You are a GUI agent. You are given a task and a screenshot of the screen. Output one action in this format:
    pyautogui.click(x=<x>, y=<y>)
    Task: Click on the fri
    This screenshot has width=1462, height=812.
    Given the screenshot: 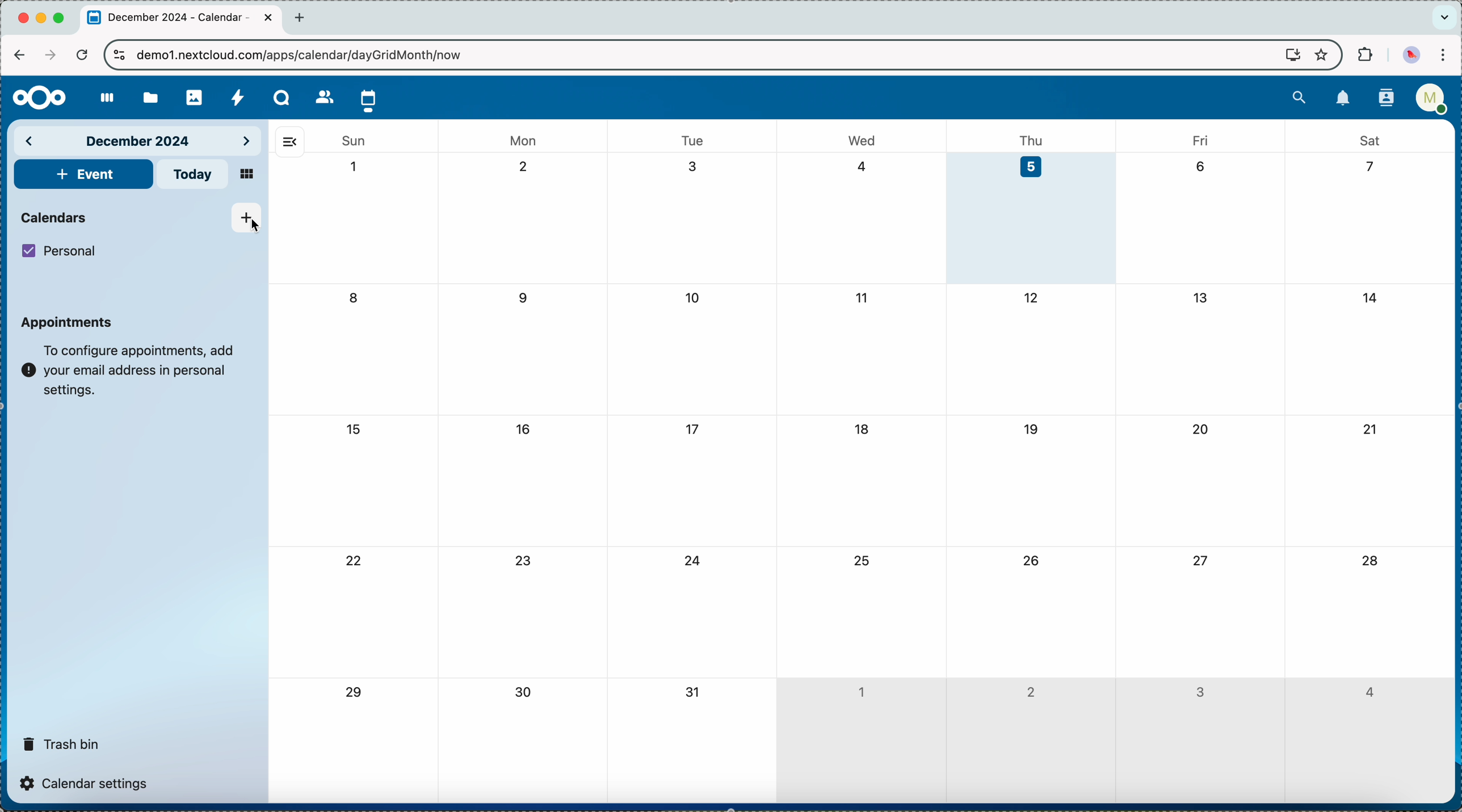 What is the action you would take?
    pyautogui.click(x=1199, y=140)
    